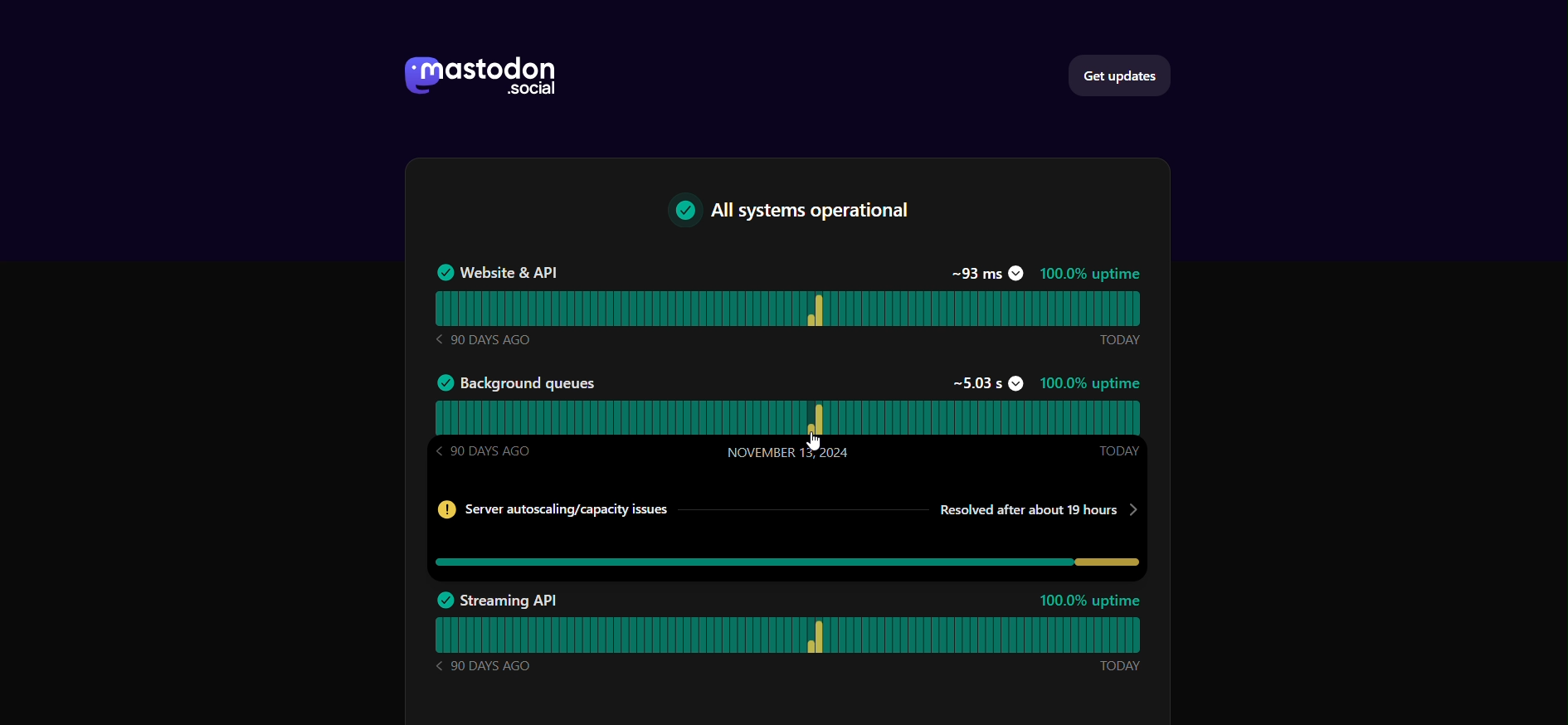 The image size is (1568, 725). What do you see at coordinates (987, 382) in the screenshot?
I see `~5.03s` at bounding box center [987, 382].